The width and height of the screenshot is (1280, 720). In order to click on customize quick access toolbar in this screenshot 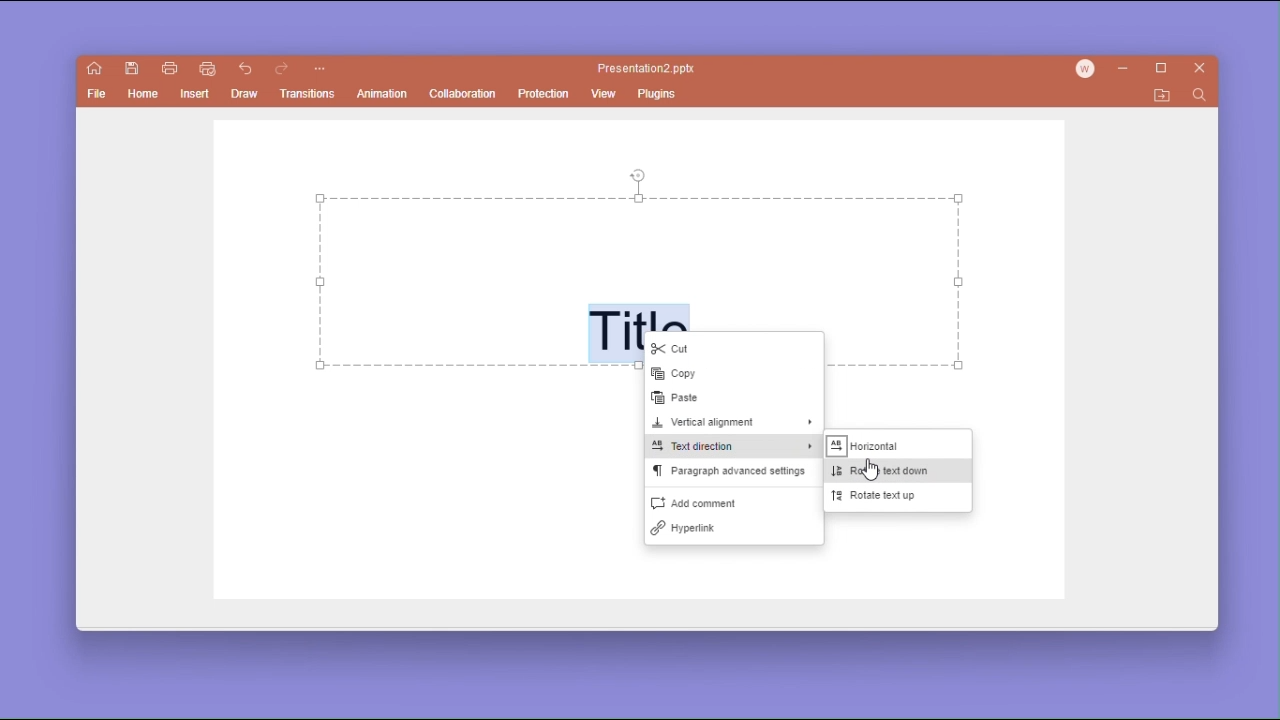, I will do `click(319, 70)`.